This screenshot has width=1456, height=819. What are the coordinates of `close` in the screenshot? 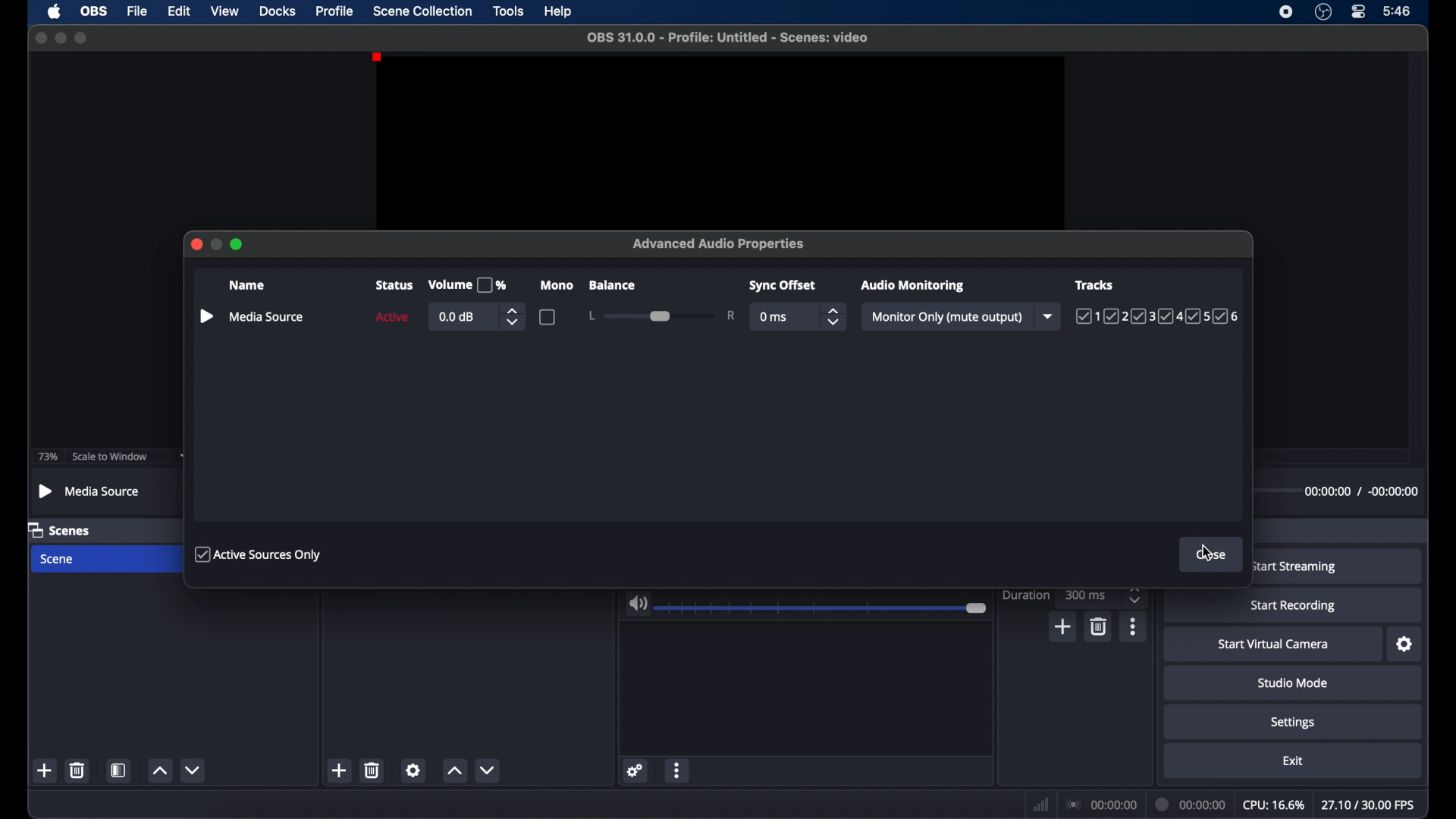 It's located at (40, 38).